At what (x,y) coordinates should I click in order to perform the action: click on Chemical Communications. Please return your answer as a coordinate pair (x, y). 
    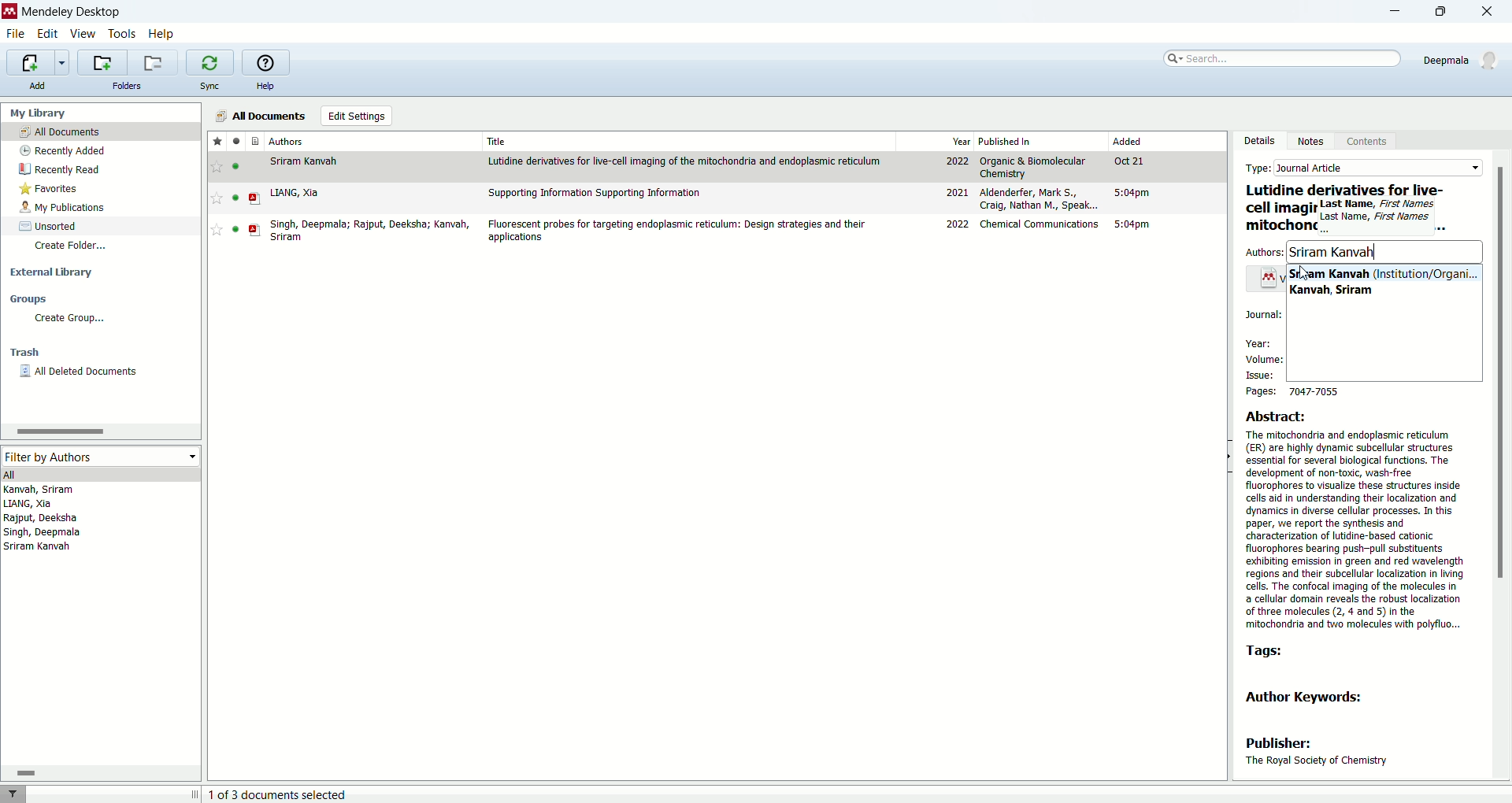
    Looking at the image, I should click on (1040, 224).